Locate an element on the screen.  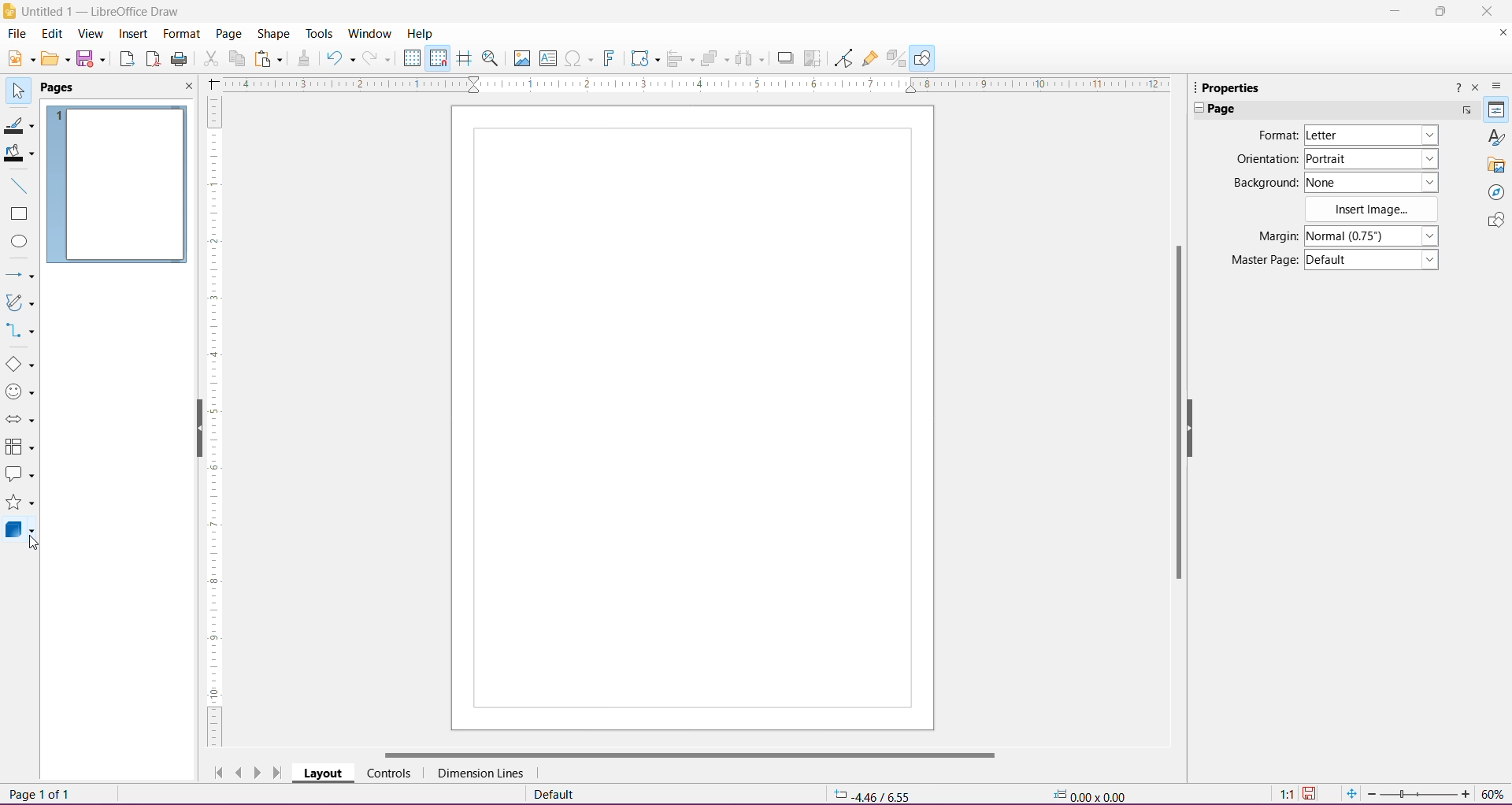
Export is located at coordinates (127, 60).